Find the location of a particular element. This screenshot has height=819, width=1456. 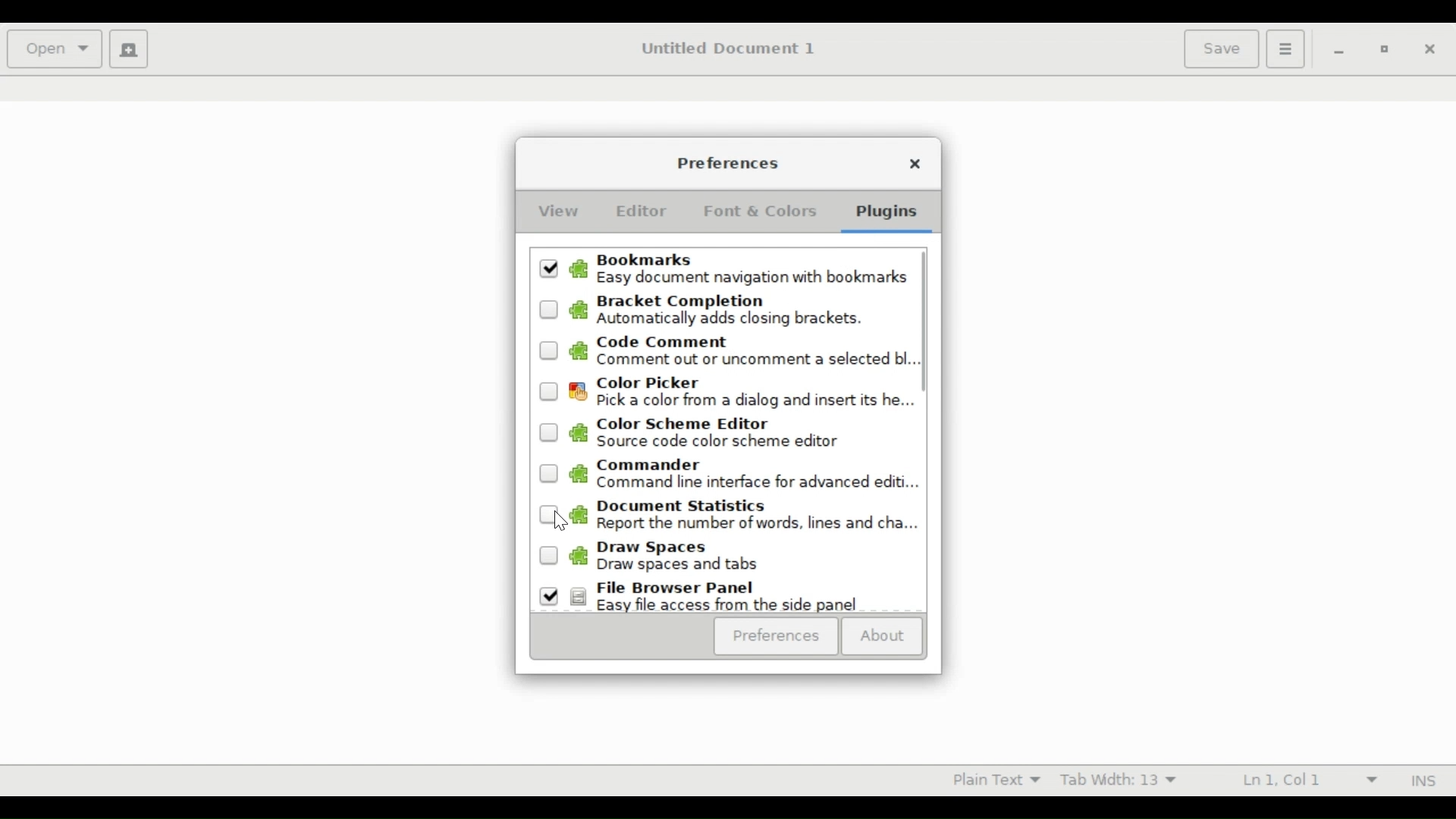

Ln 1 Col 1 is located at coordinates (1301, 779).